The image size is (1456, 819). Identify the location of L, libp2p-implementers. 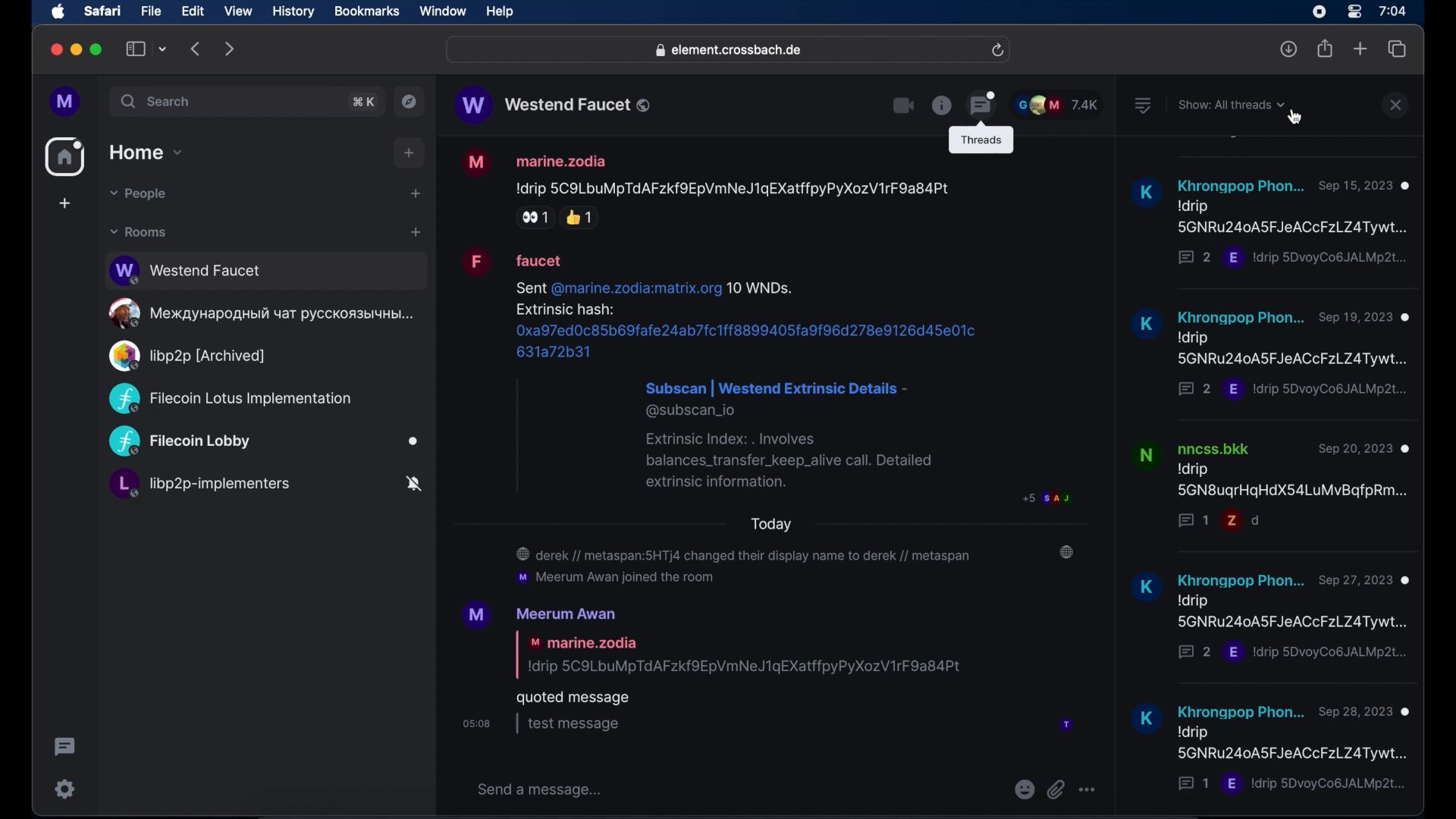
(212, 488).